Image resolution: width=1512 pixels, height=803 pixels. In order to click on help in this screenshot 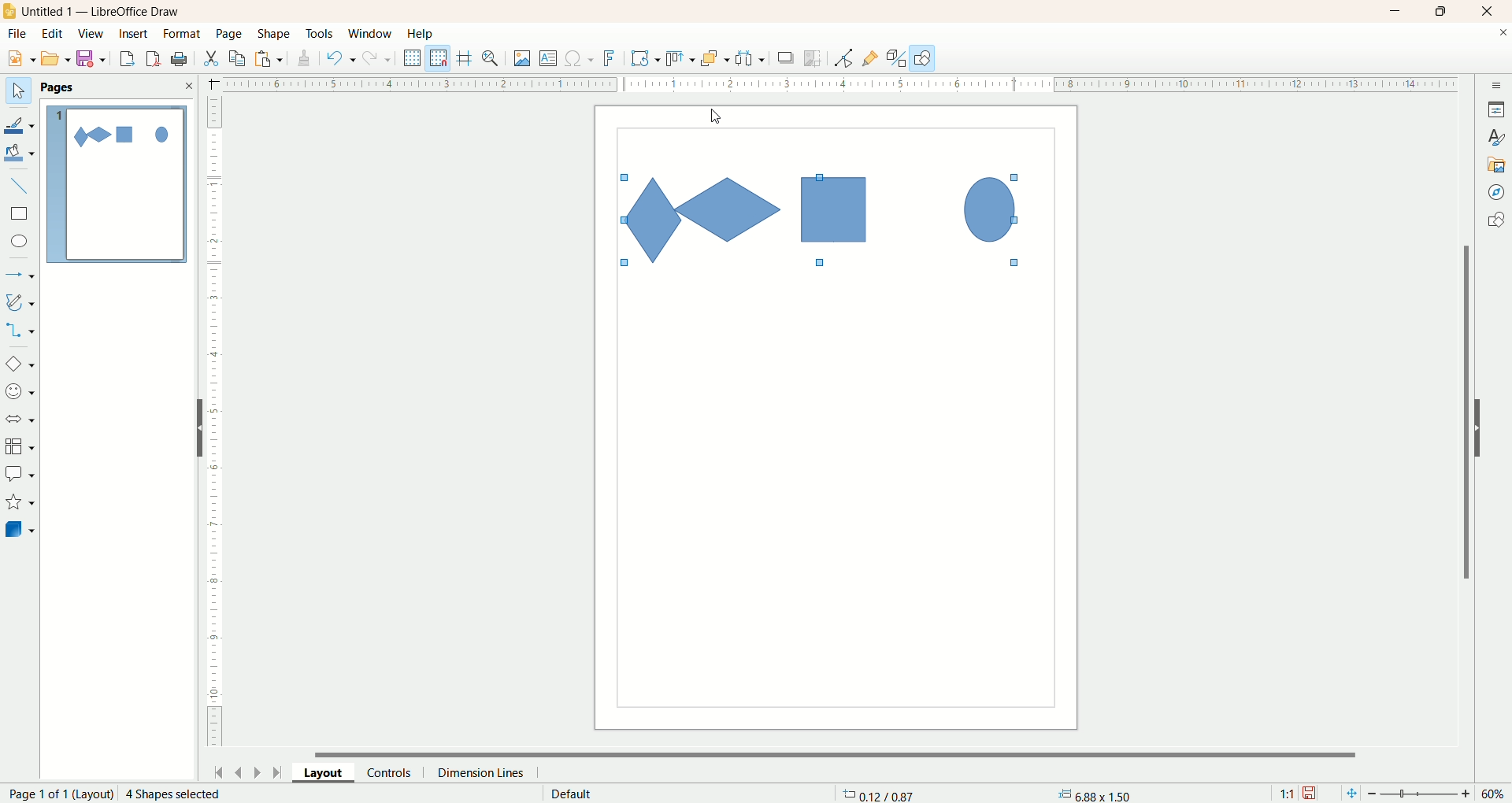, I will do `click(421, 34)`.